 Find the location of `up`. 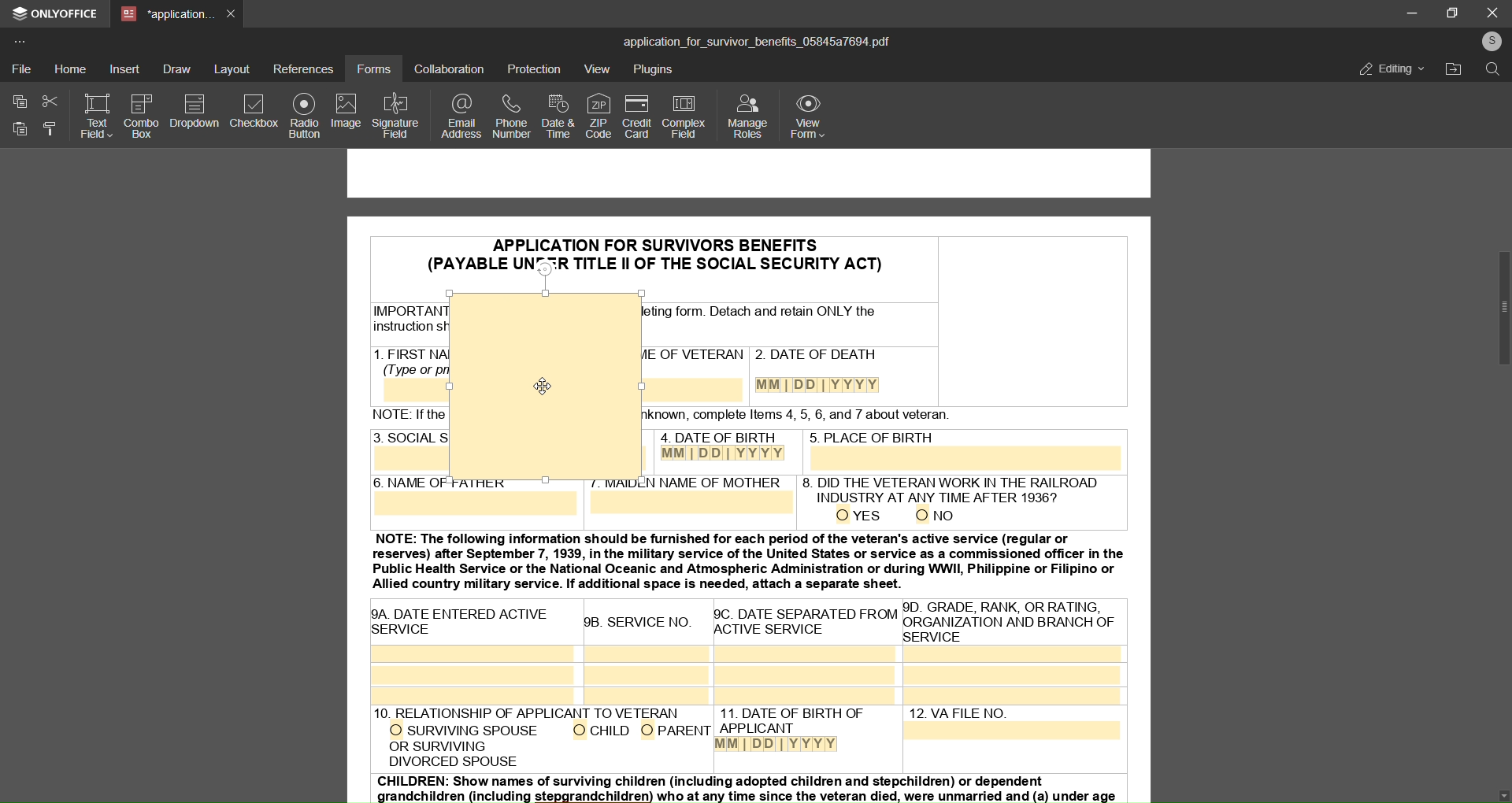

up is located at coordinates (1505, 94).